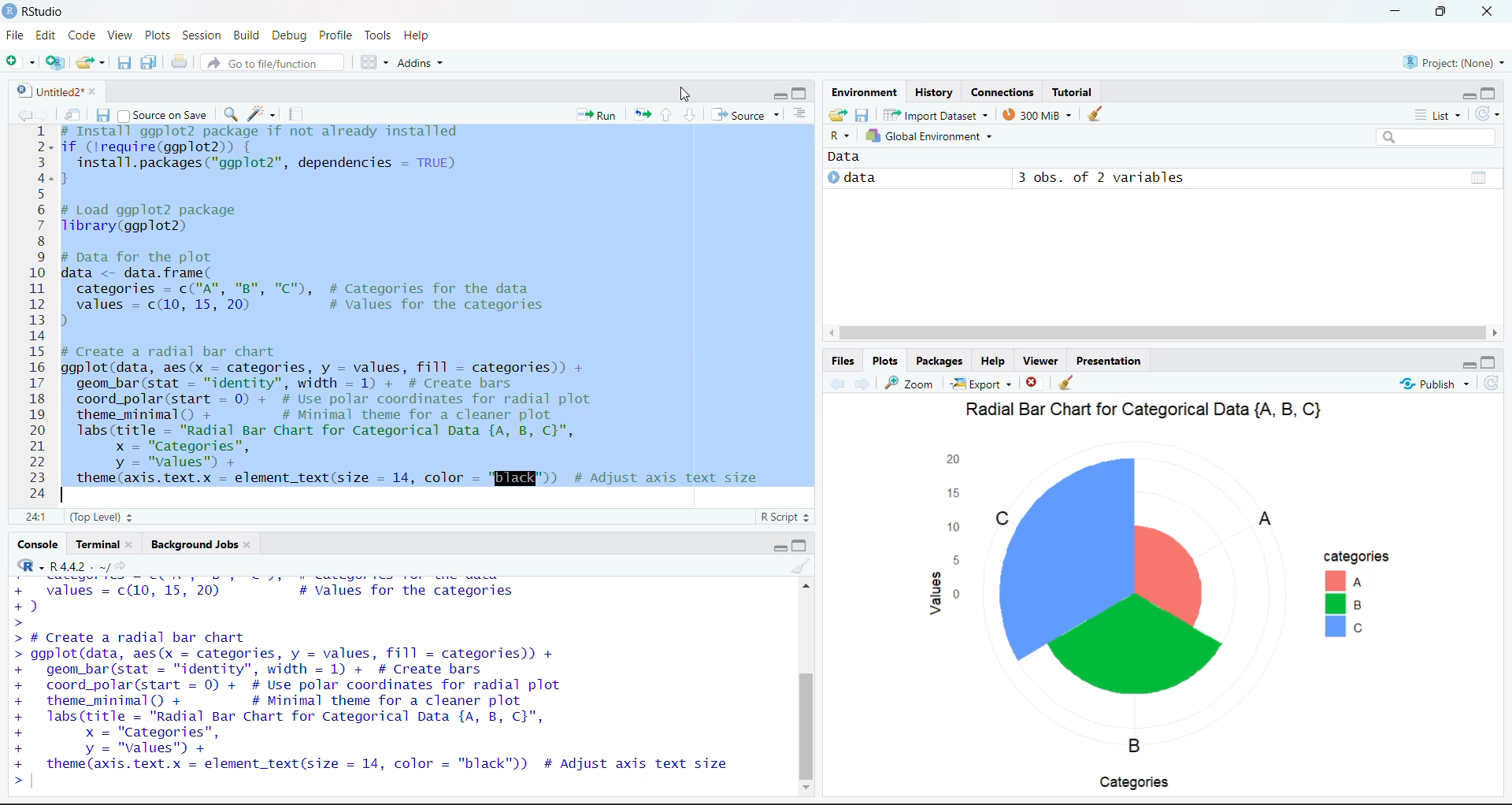 The image size is (1512, 805). What do you see at coordinates (103, 545) in the screenshot?
I see `Terminal` at bounding box center [103, 545].